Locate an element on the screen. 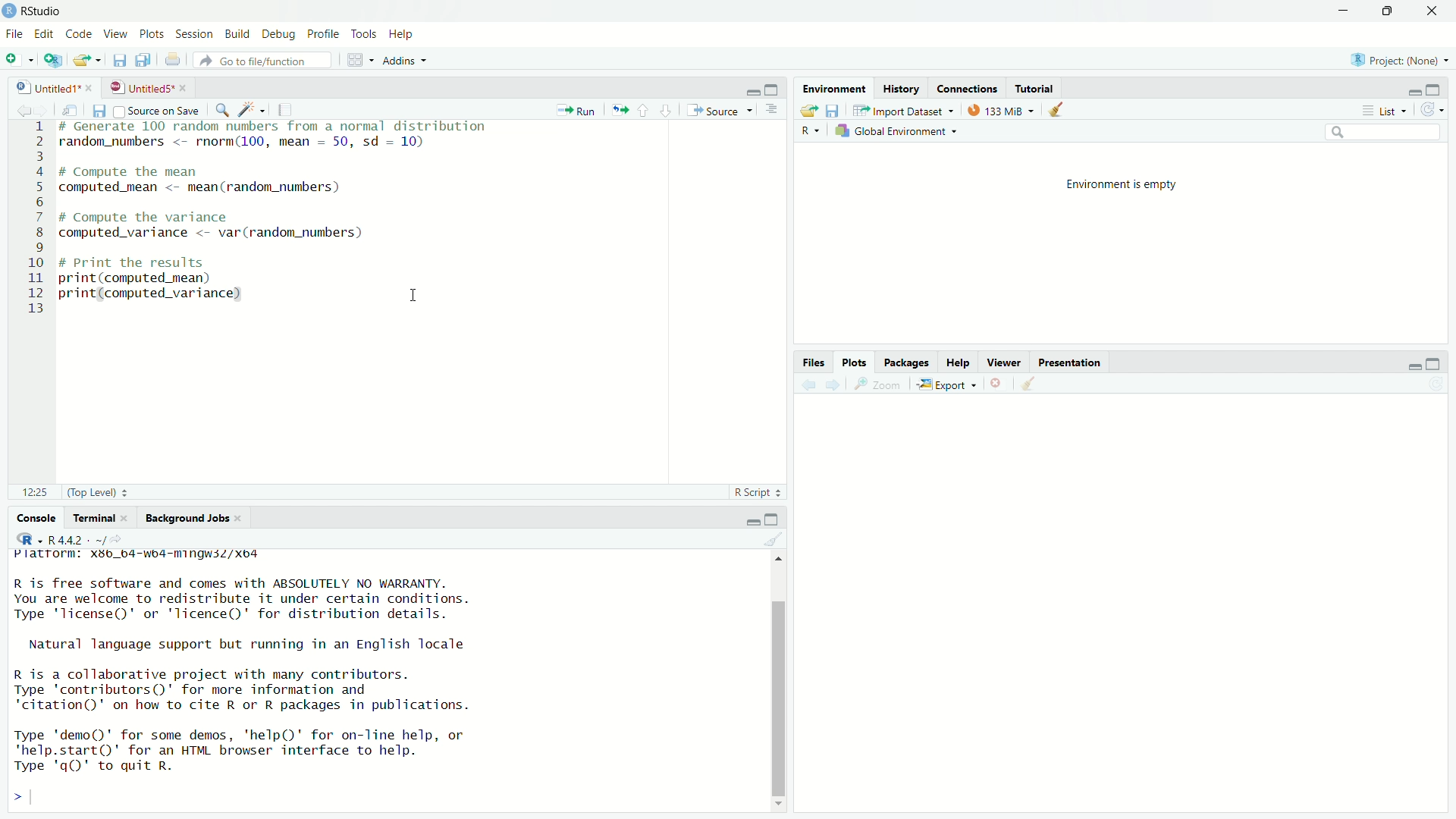 This screenshot has width=1456, height=819. computed_mean <- mean(random_numbers) is located at coordinates (226, 190).